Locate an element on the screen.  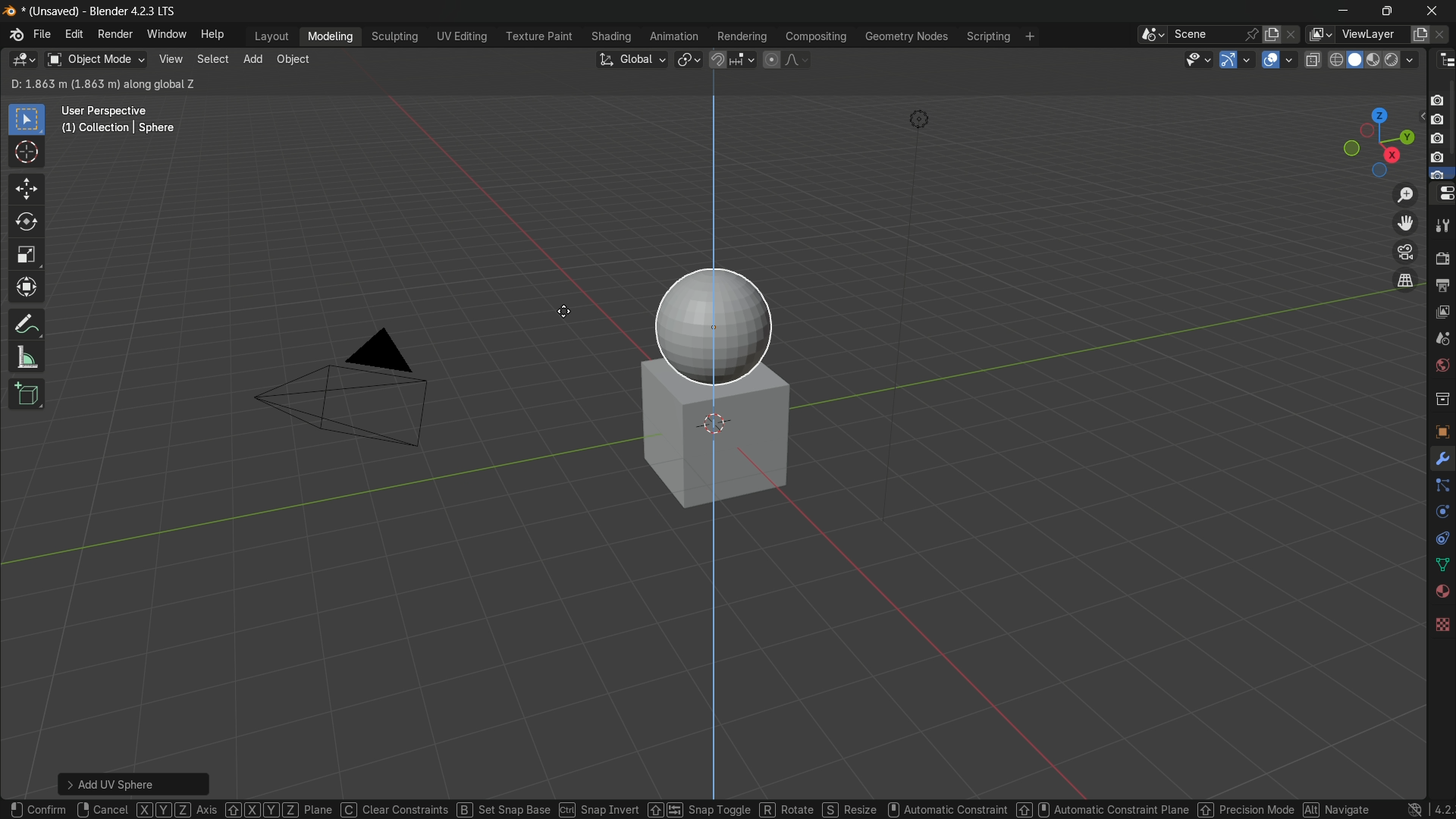
add is located at coordinates (253, 59).